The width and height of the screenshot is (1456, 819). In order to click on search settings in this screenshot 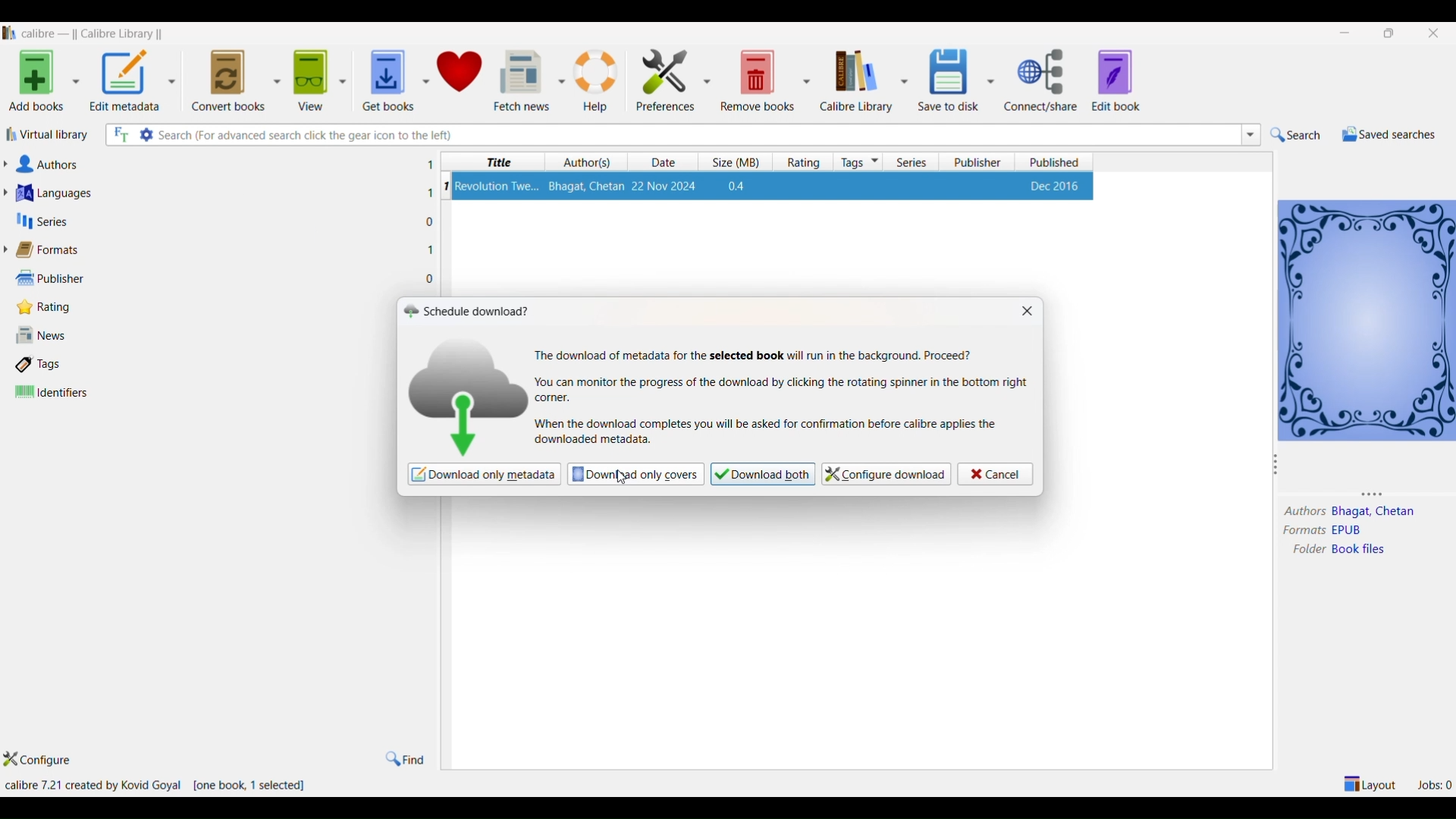, I will do `click(147, 134)`.